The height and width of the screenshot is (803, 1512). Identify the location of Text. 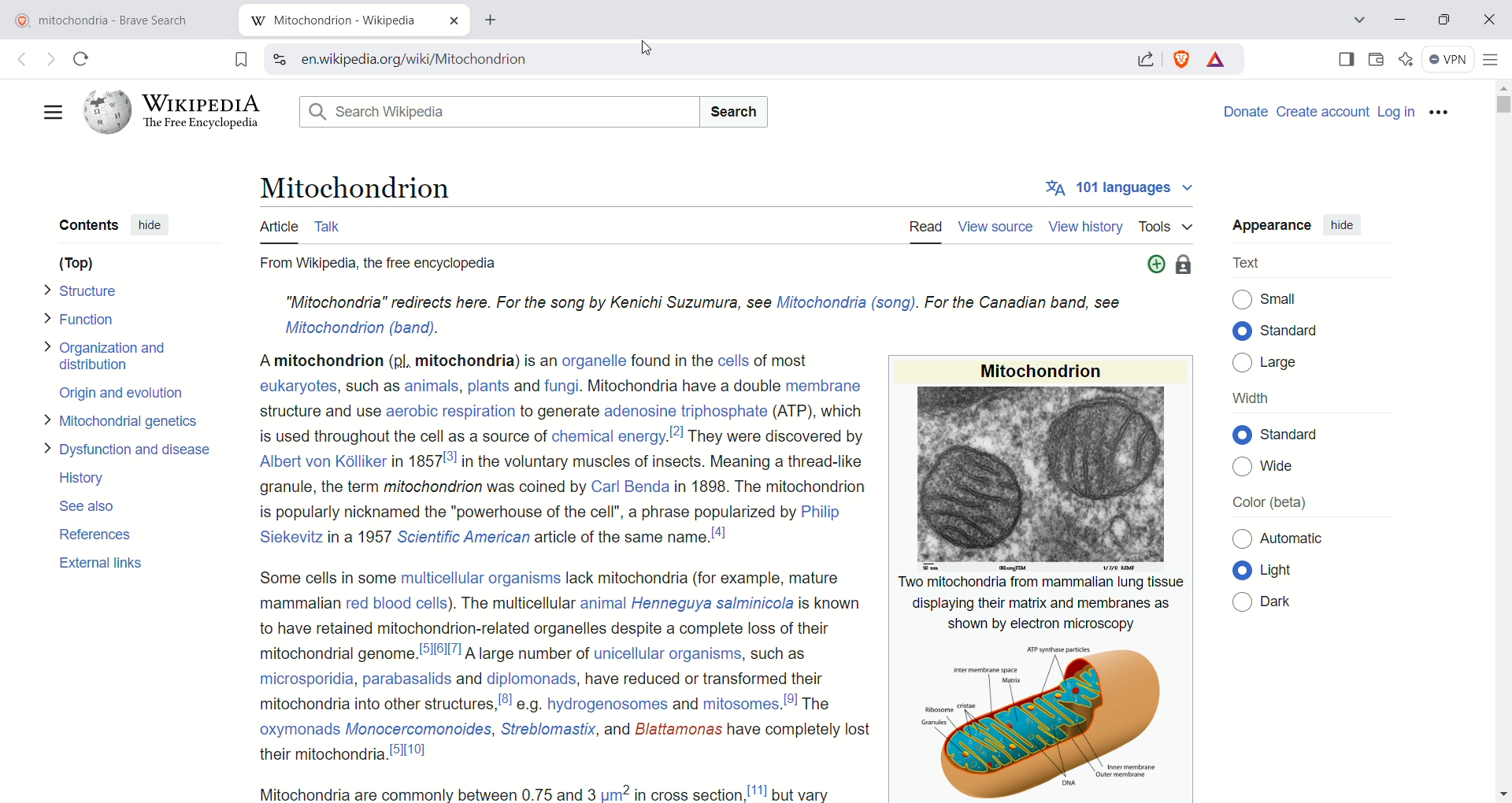
(1250, 265).